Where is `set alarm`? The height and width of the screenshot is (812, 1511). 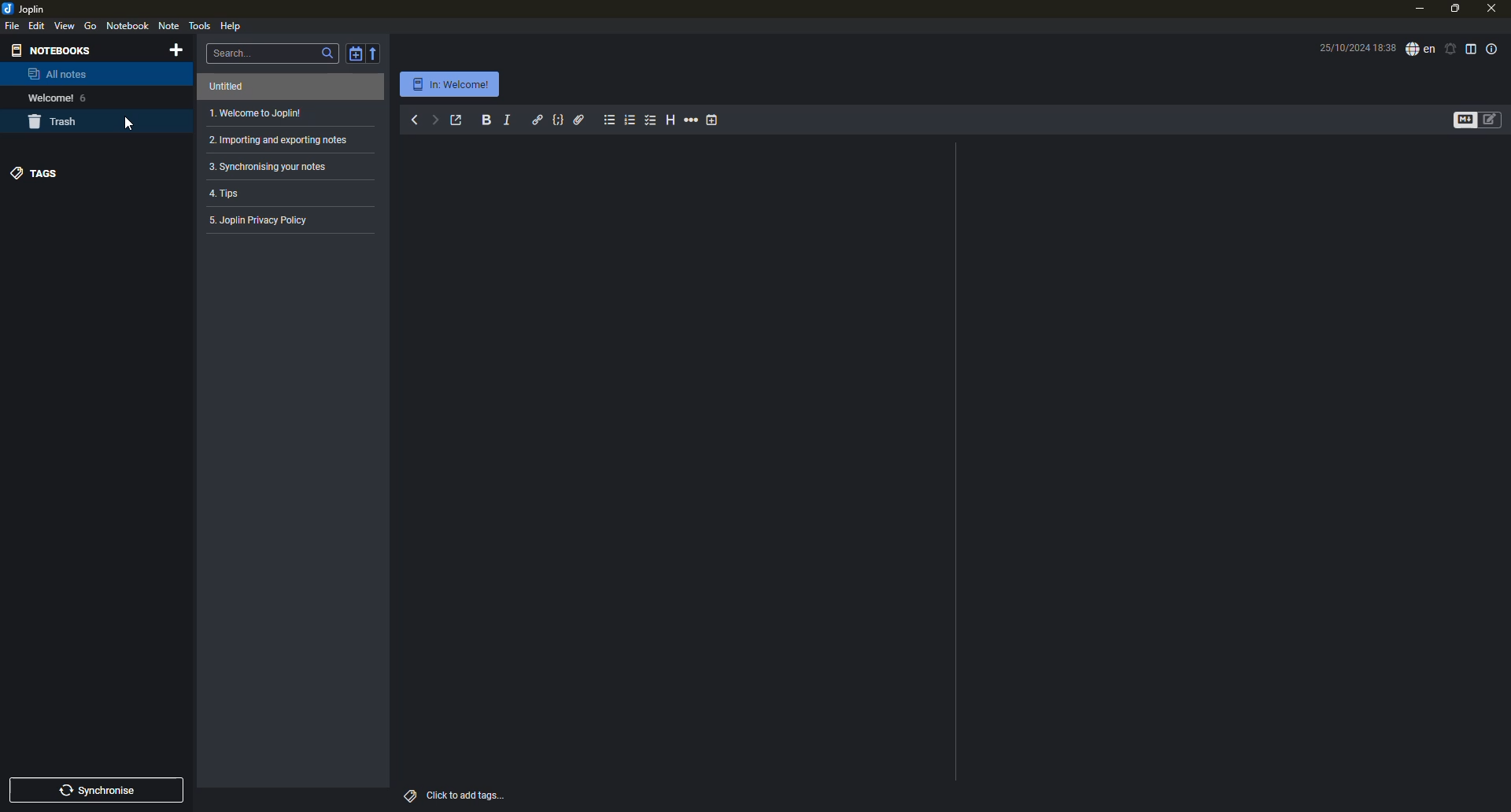 set alarm is located at coordinates (1450, 47).